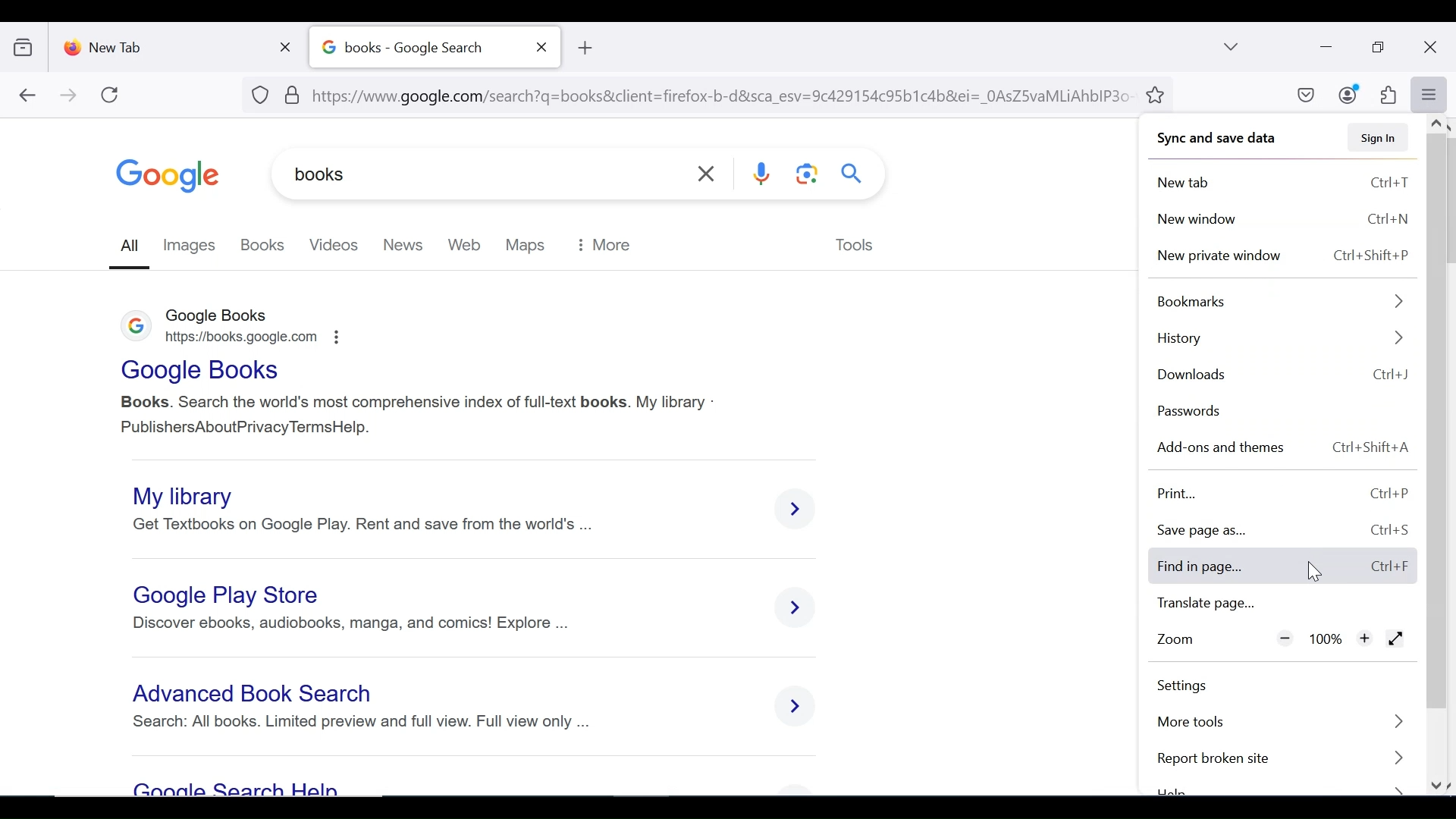 The height and width of the screenshot is (819, 1456). Describe the element at coordinates (1285, 638) in the screenshot. I see `zoom in` at that location.